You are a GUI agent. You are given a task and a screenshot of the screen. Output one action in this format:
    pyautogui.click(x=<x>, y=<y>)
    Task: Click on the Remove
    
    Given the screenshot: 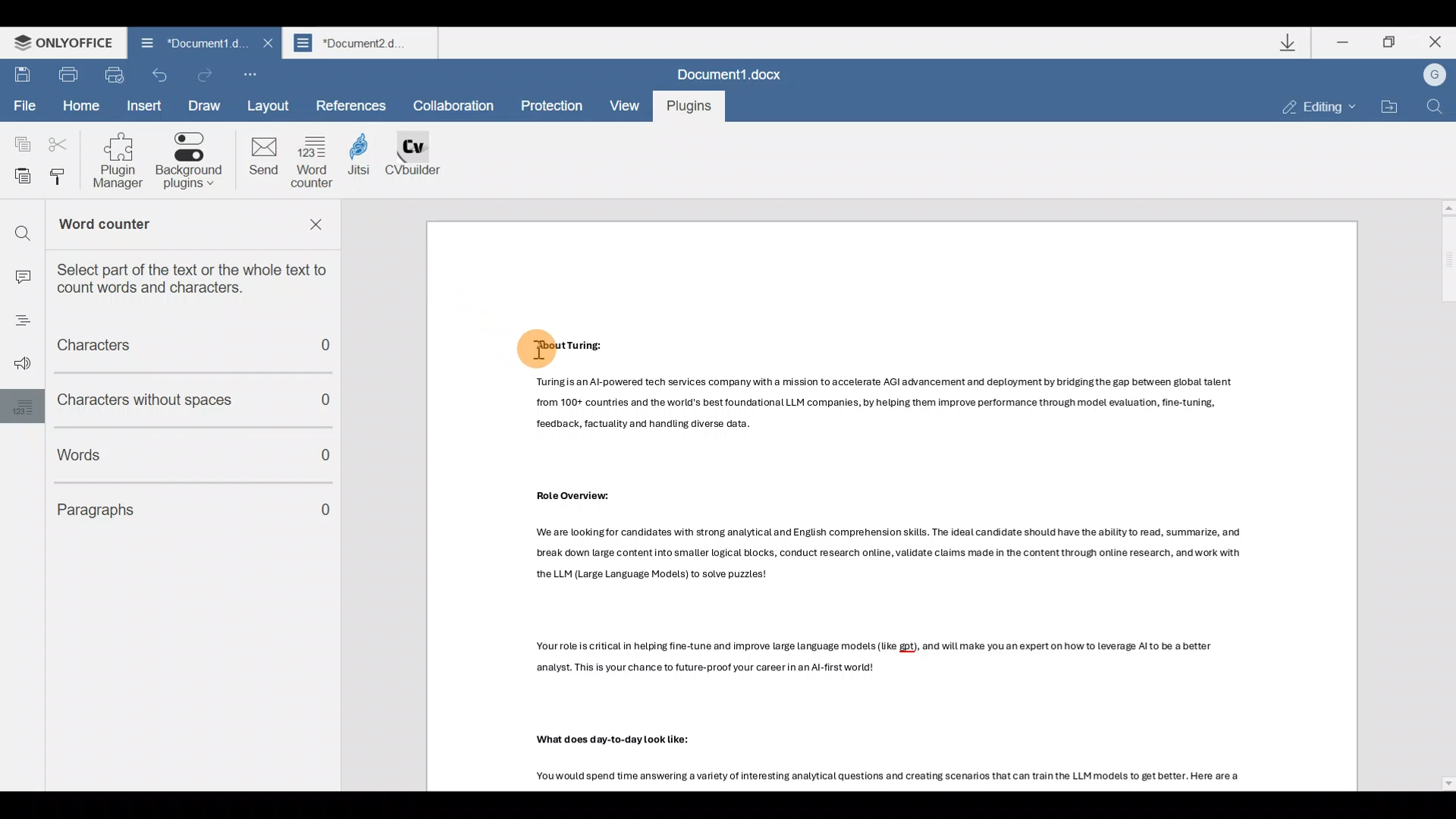 What is the action you would take?
    pyautogui.click(x=320, y=228)
    